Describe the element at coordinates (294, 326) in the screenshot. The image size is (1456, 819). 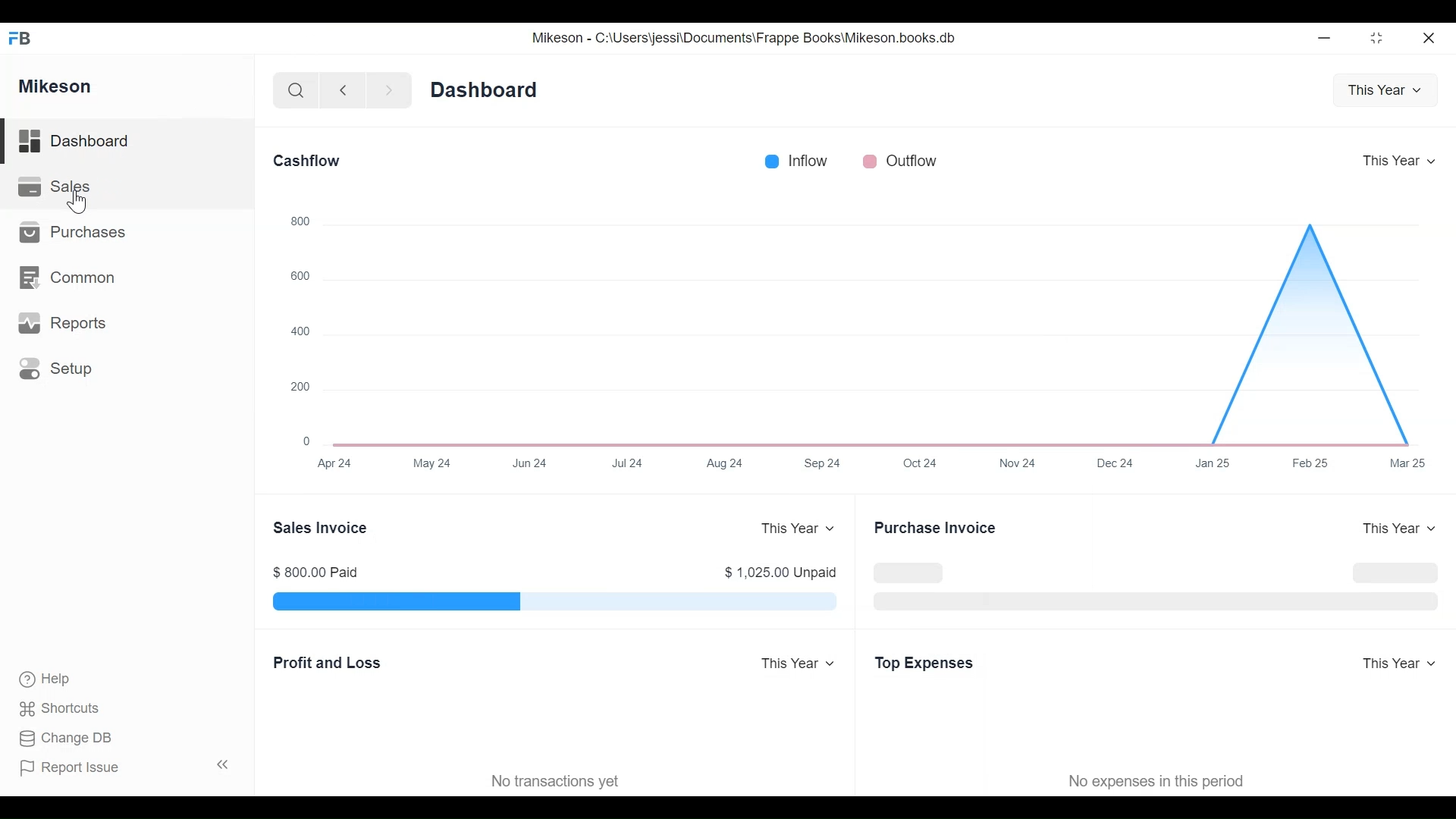
I see `x axis` at that location.